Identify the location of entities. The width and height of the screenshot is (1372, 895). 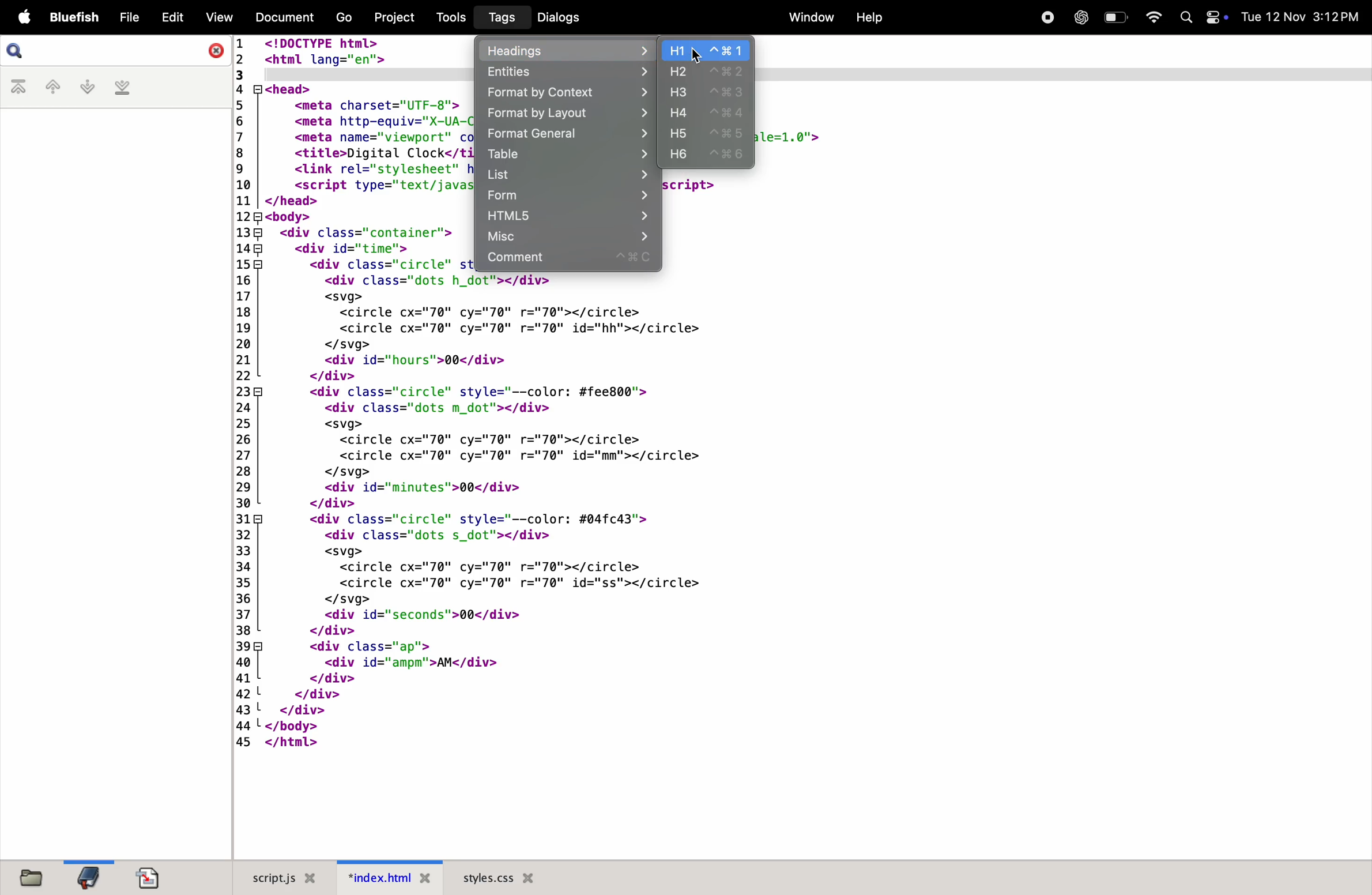
(564, 72).